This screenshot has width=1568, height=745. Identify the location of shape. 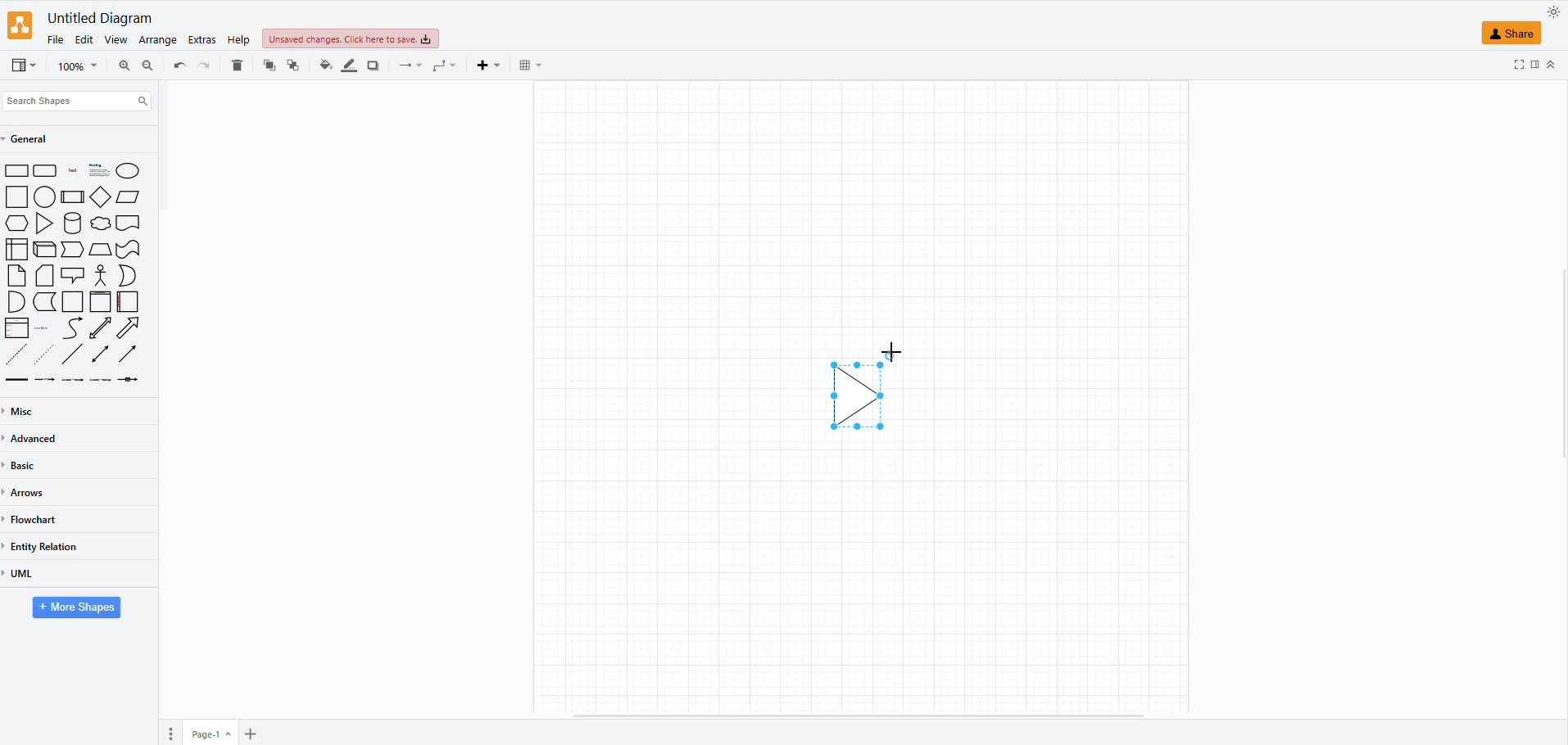
(867, 390).